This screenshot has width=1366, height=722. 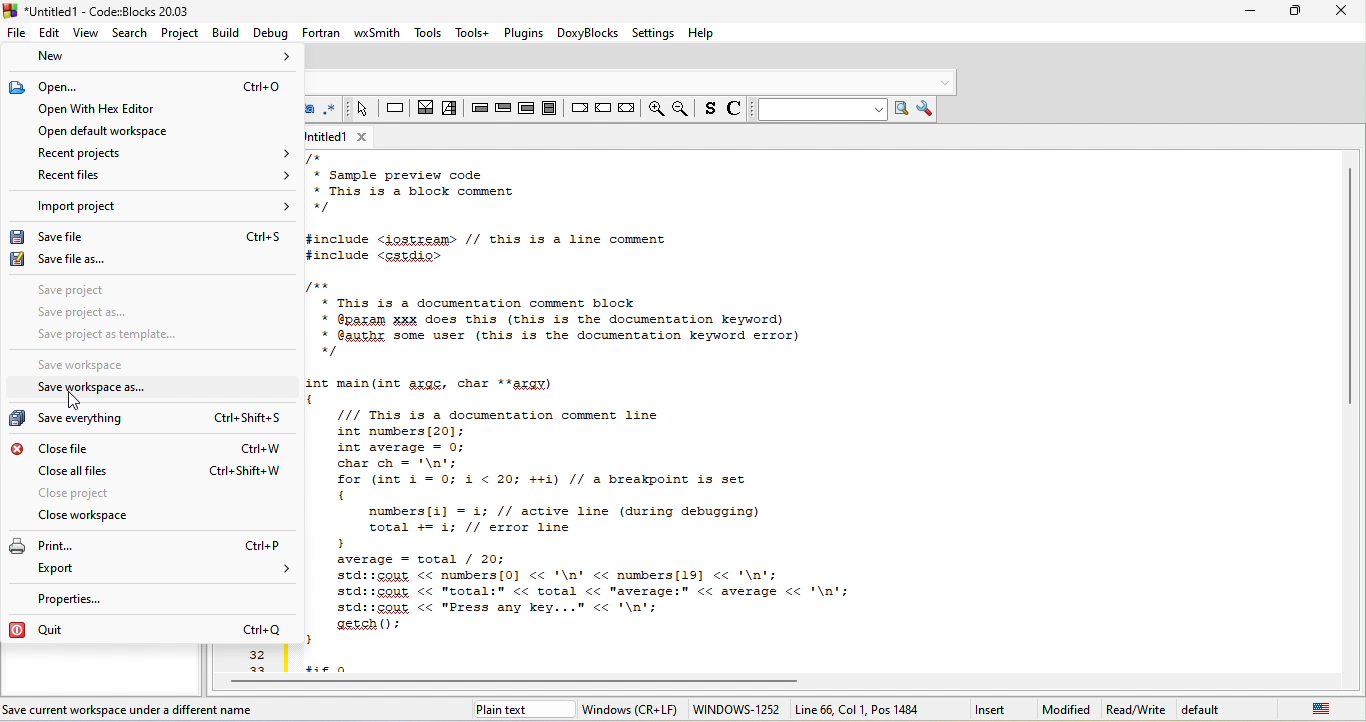 I want to click on code, so click(x=820, y=412).